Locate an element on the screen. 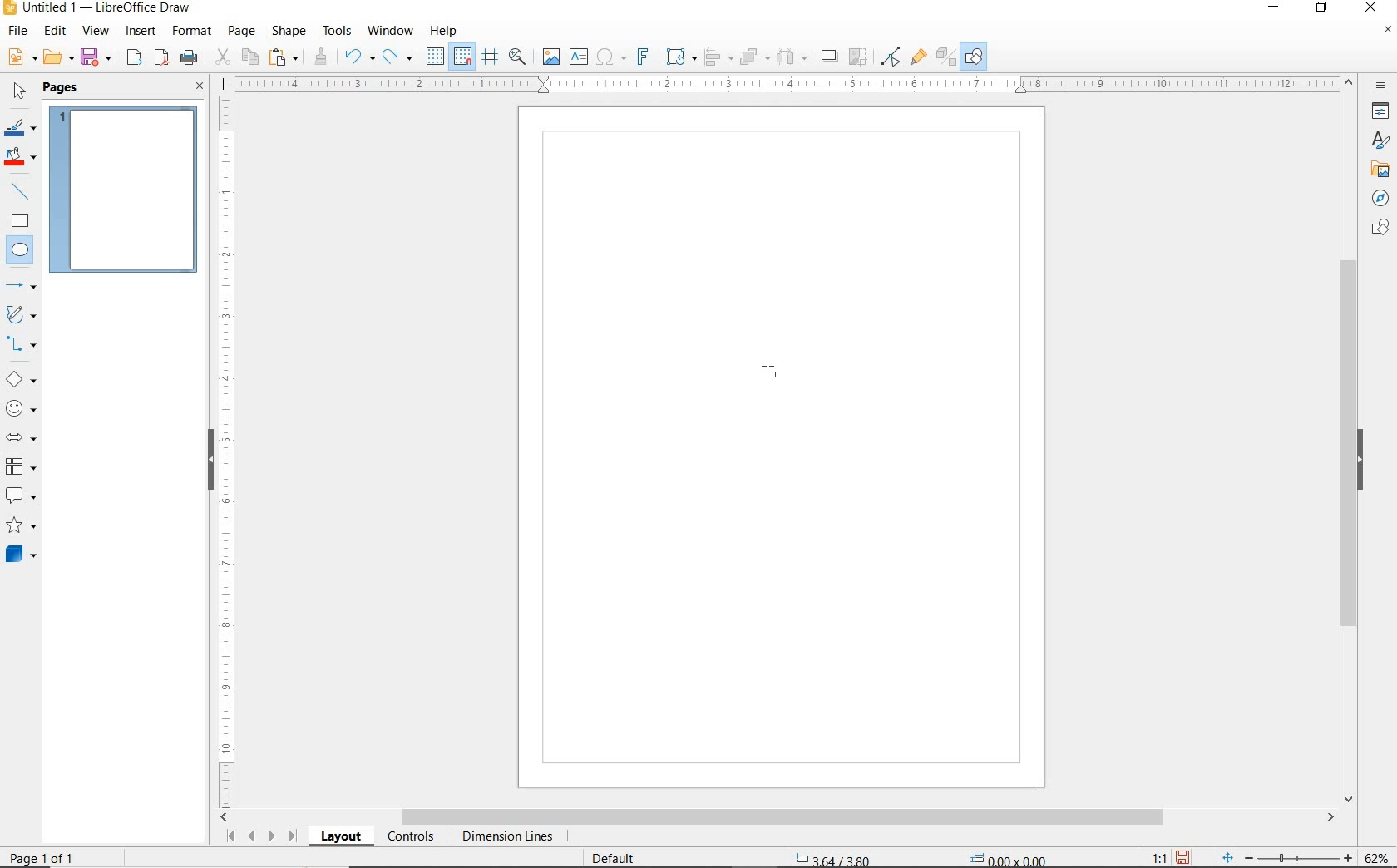 The height and width of the screenshot is (868, 1397). CUT is located at coordinates (223, 57).